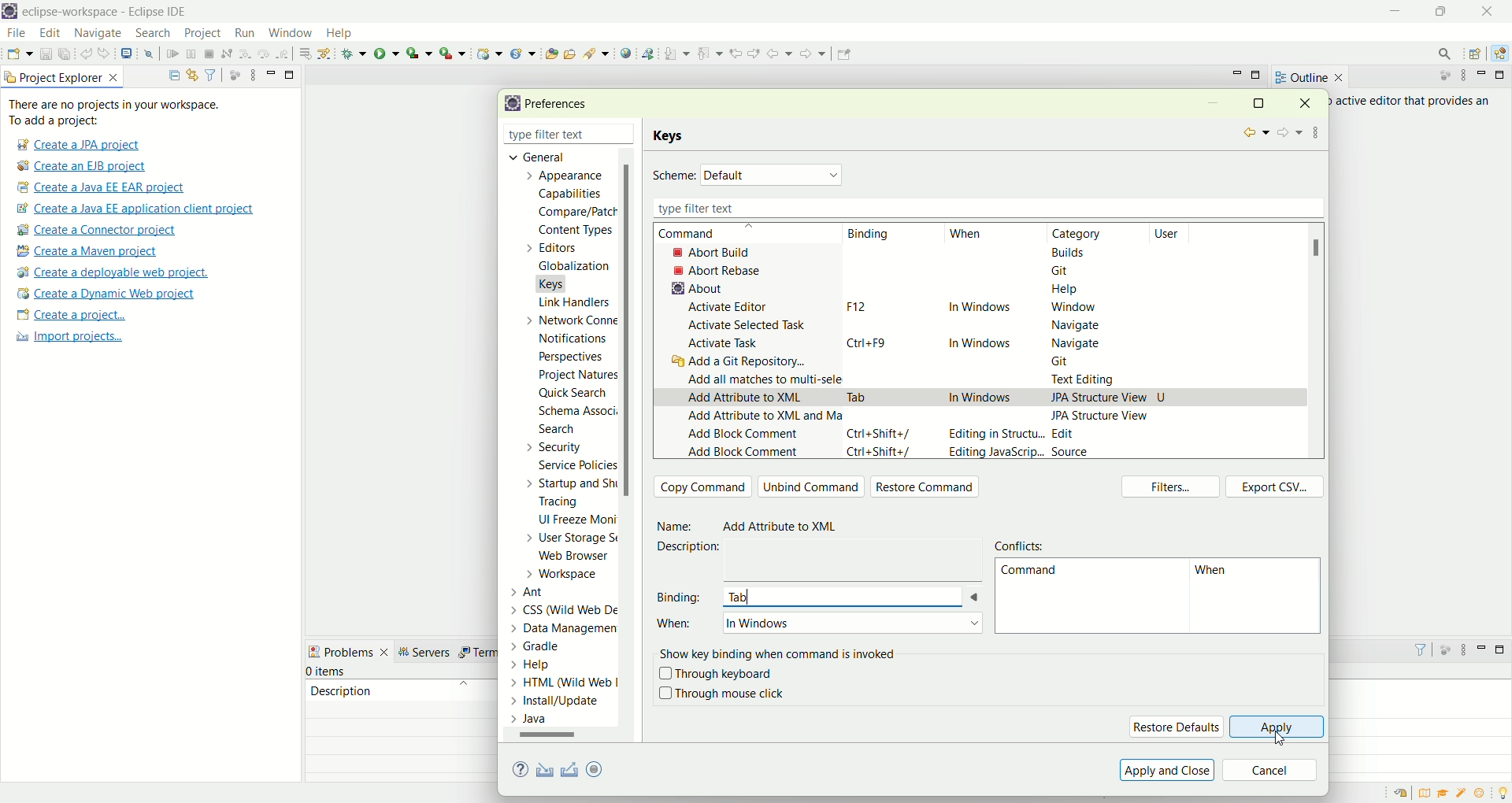  I want to click on command, so click(703, 234).